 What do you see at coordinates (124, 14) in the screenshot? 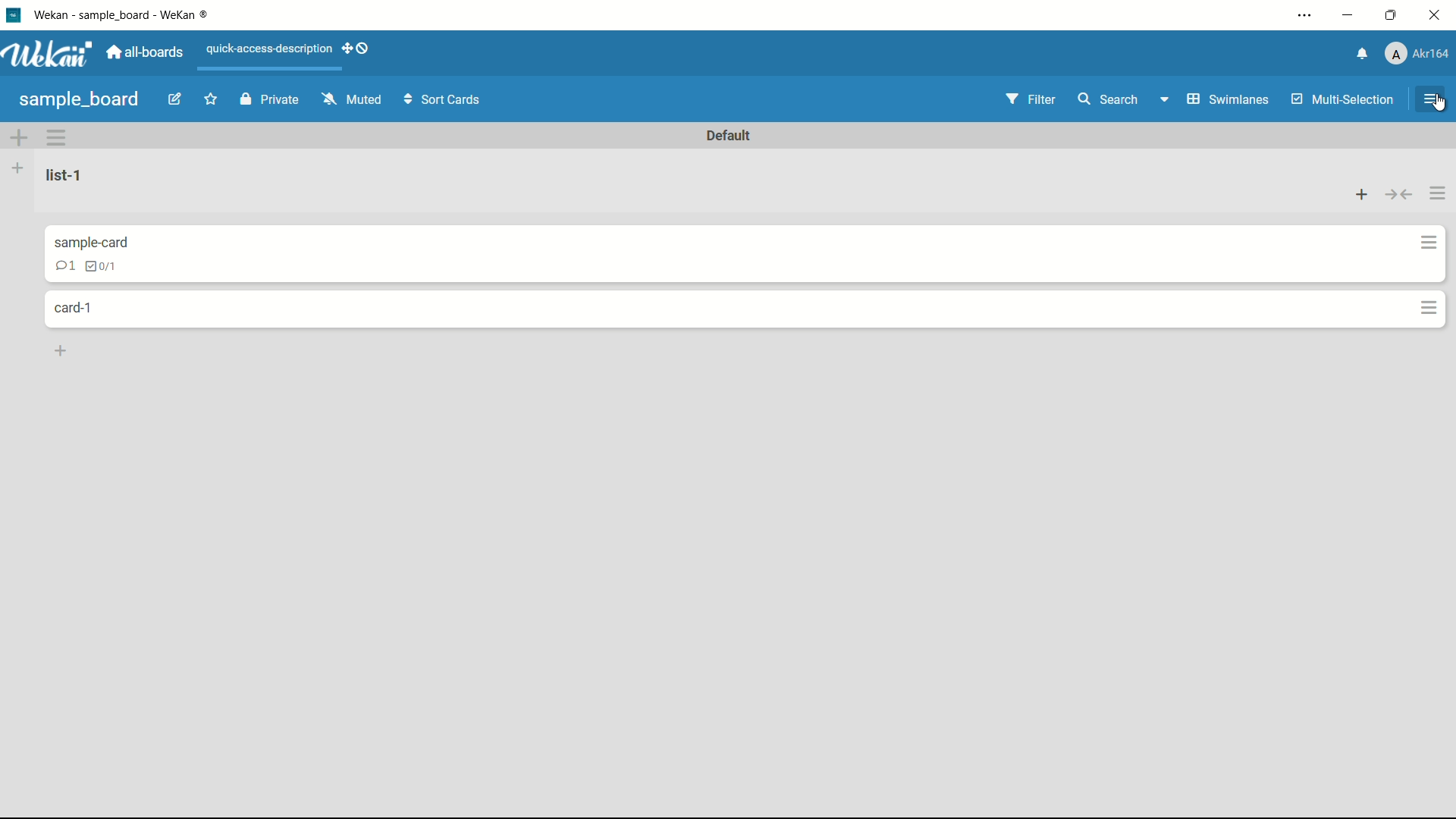
I see `app name` at bounding box center [124, 14].